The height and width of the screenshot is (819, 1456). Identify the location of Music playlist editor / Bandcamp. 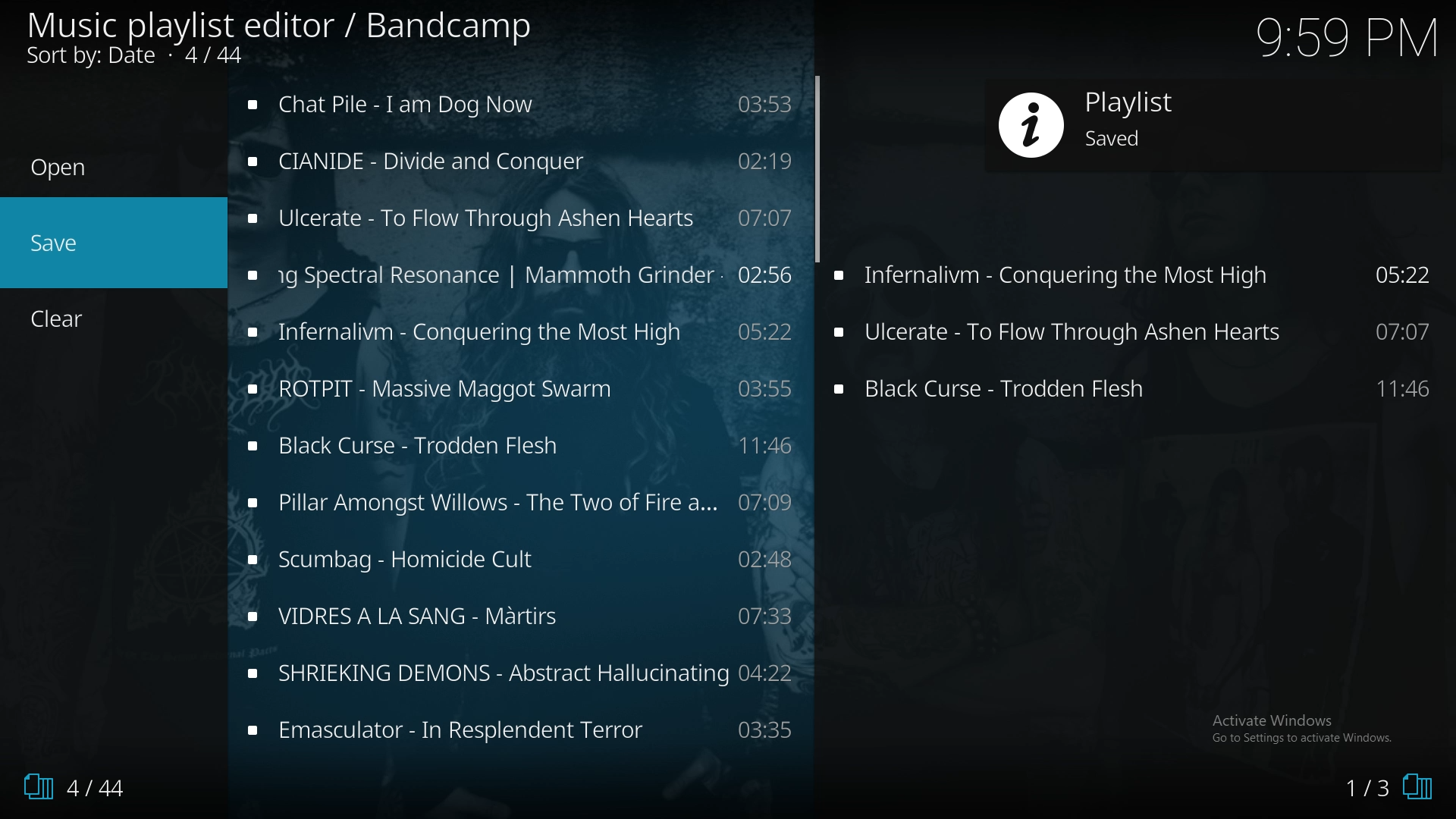
(281, 26).